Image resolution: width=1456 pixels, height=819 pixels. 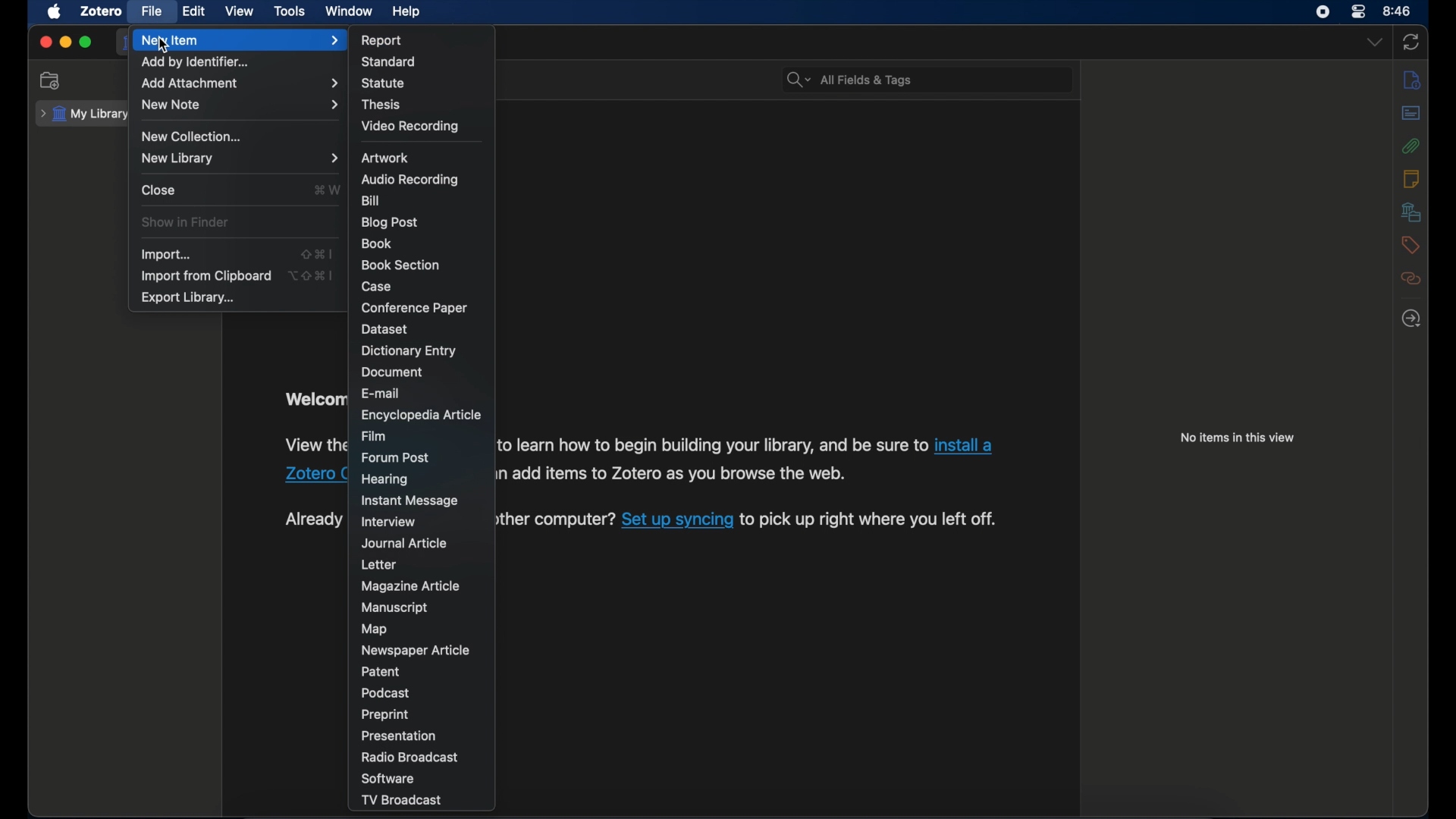 What do you see at coordinates (374, 435) in the screenshot?
I see `film` at bounding box center [374, 435].